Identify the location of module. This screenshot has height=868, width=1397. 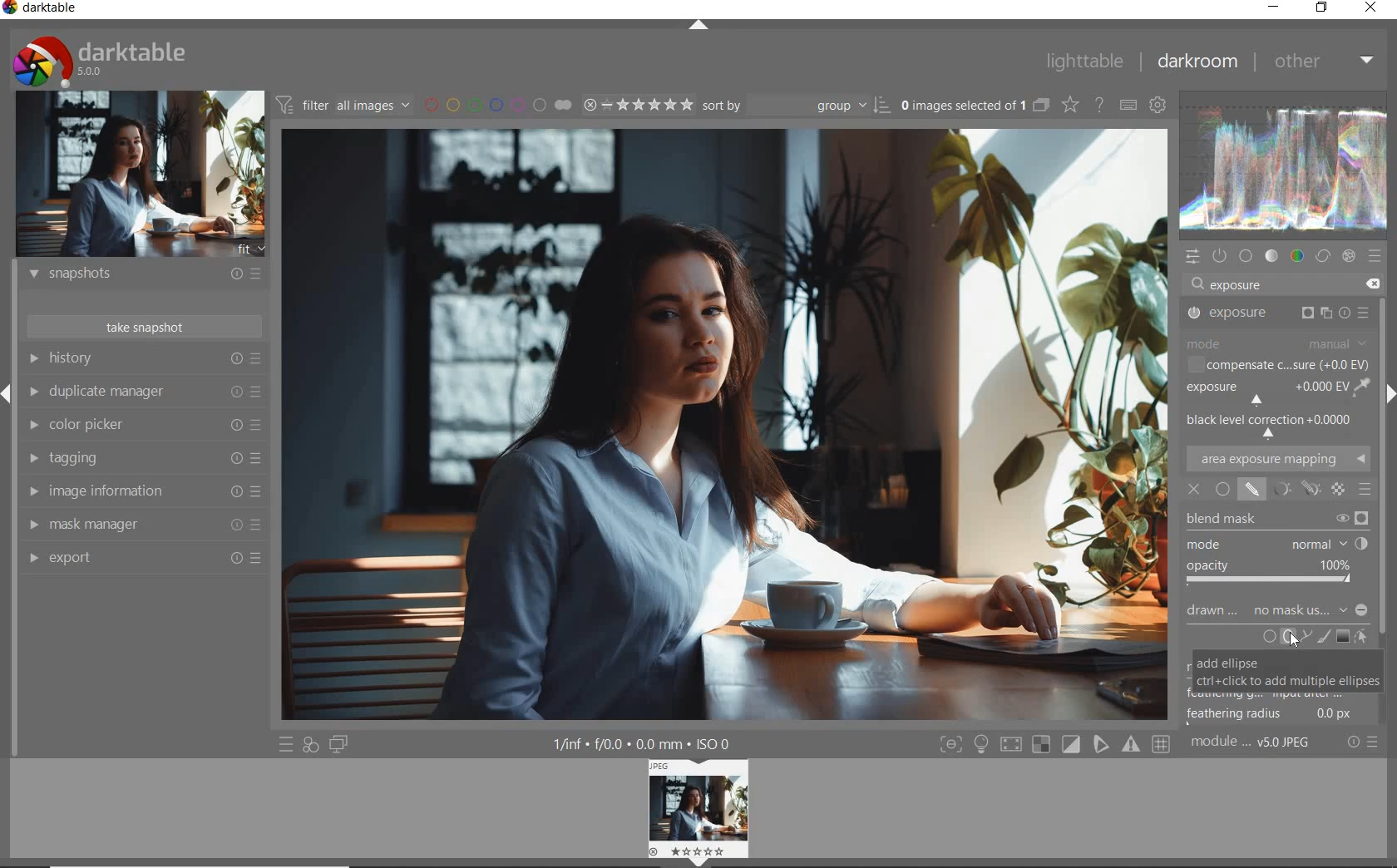
(1253, 744).